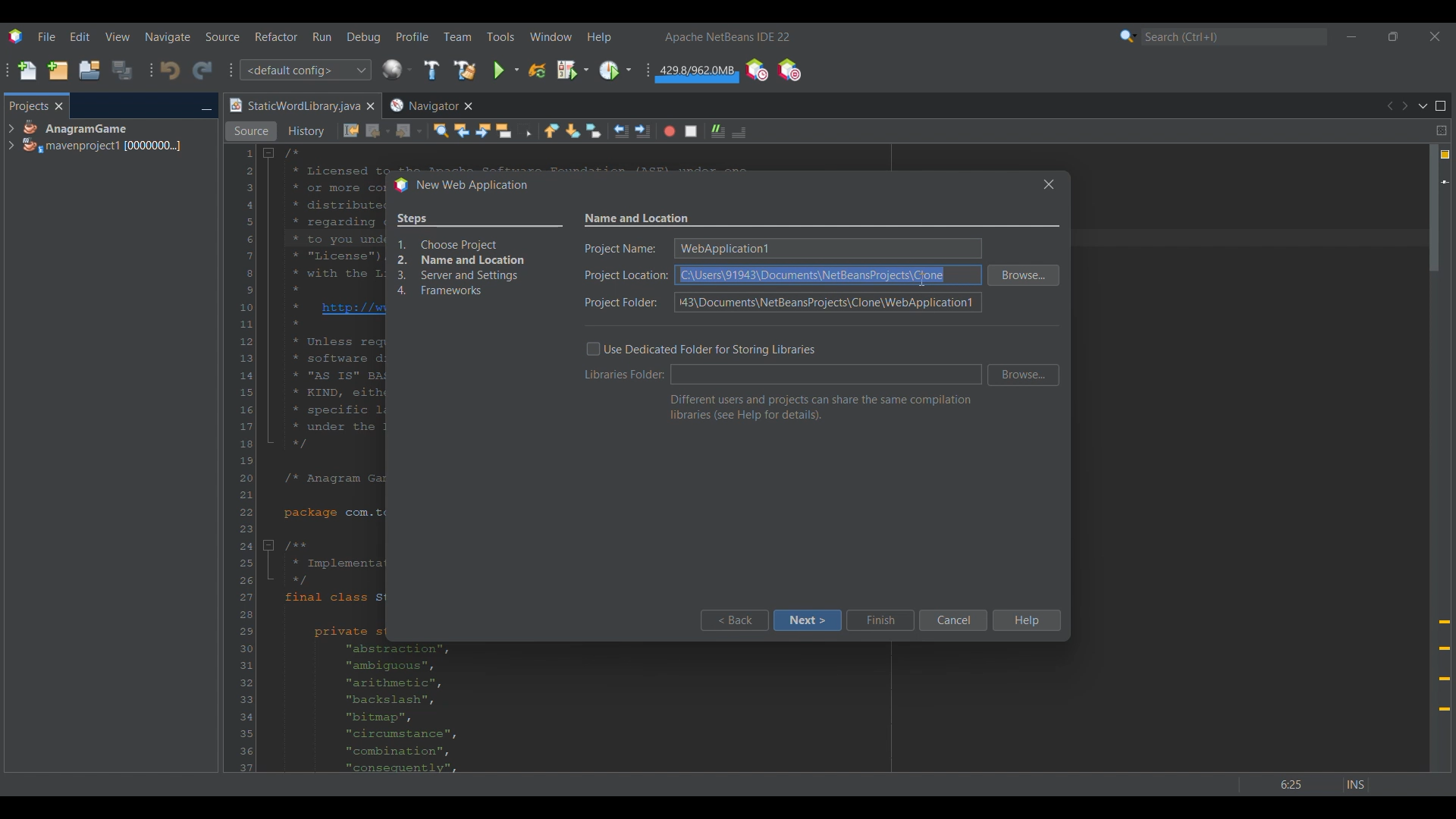 This screenshot has width=1456, height=819. Describe the element at coordinates (170, 71) in the screenshot. I see `Undo` at that location.